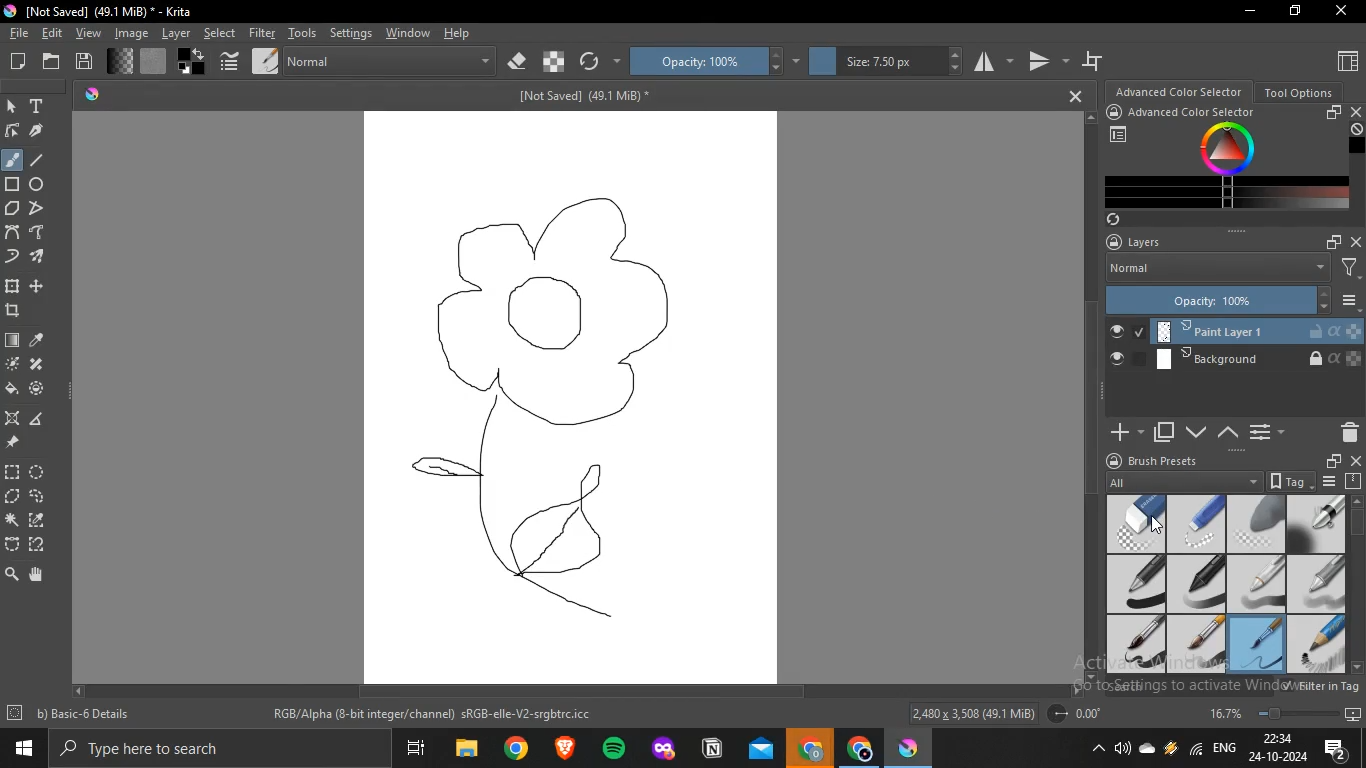  I want to click on eraser small, so click(1196, 524).